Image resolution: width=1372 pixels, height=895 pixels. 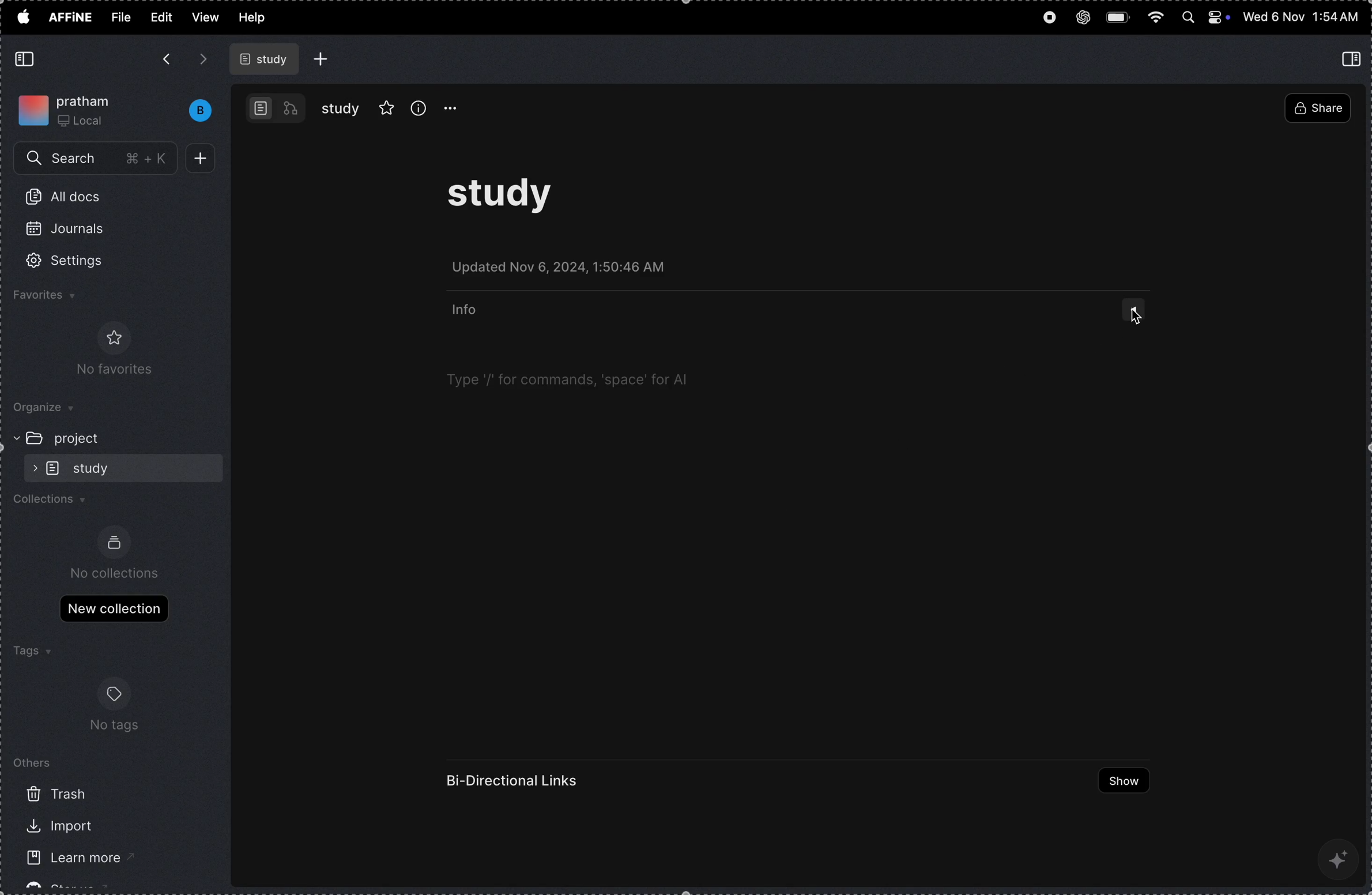 What do you see at coordinates (121, 17) in the screenshot?
I see `file` at bounding box center [121, 17].